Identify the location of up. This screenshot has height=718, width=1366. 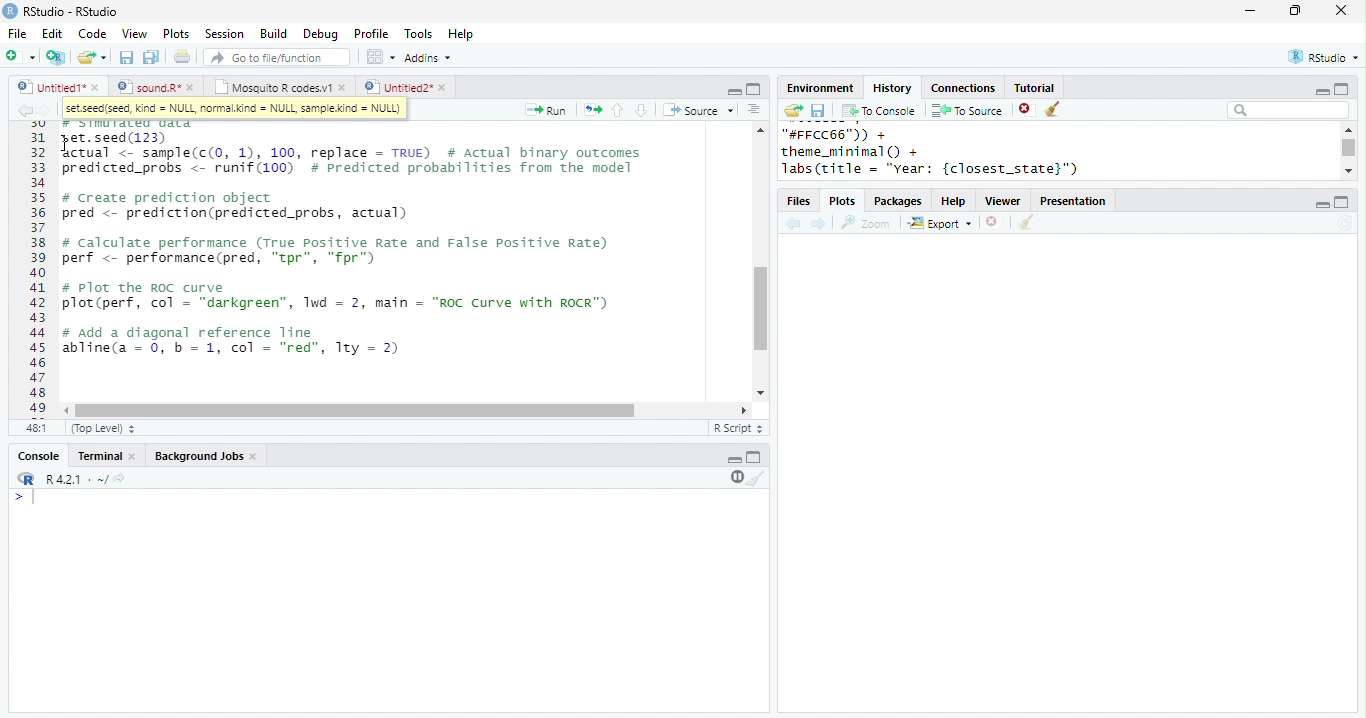
(616, 110).